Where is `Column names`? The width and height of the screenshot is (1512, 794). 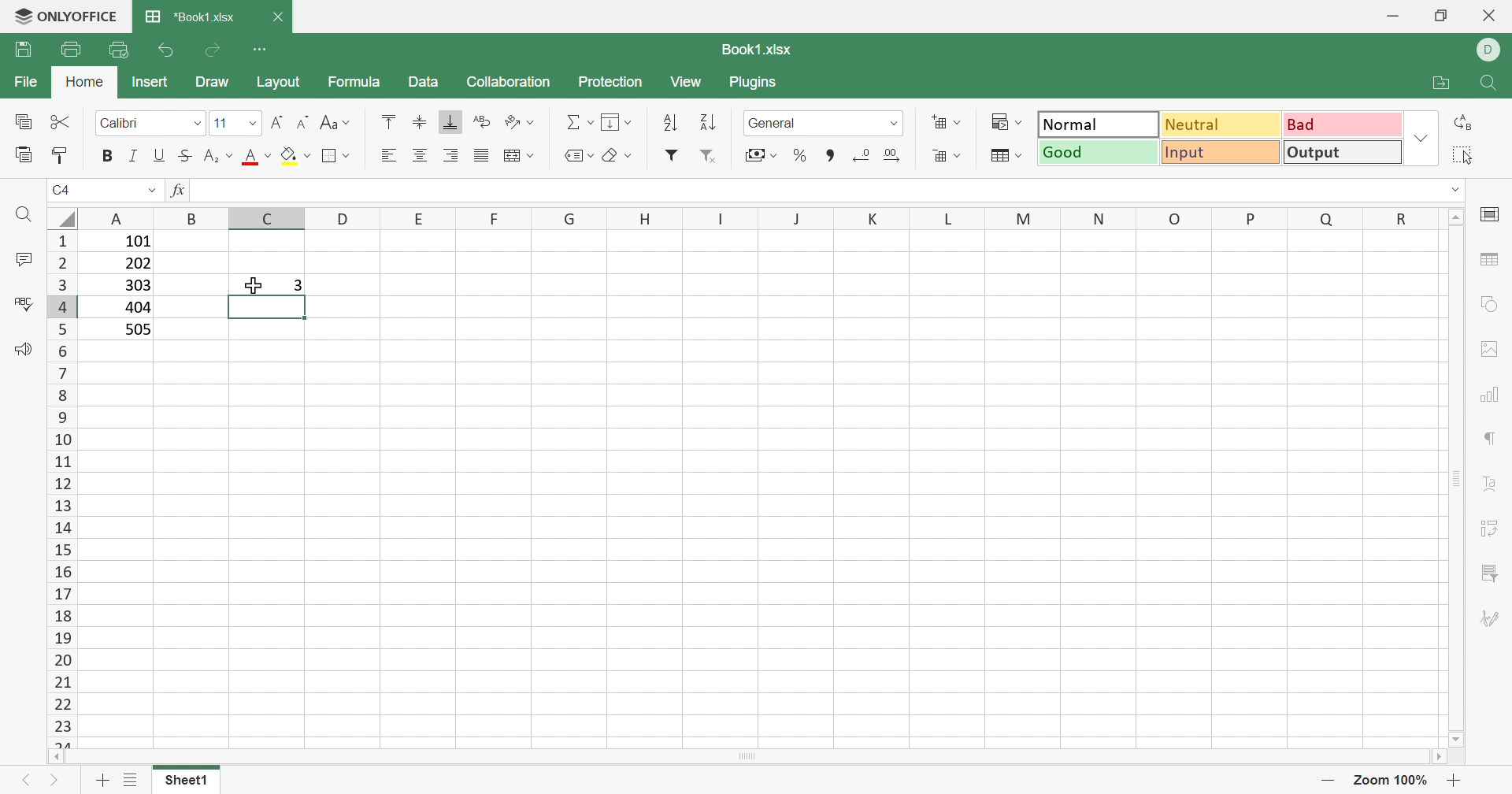 Column names is located at coordinates (769, 217).